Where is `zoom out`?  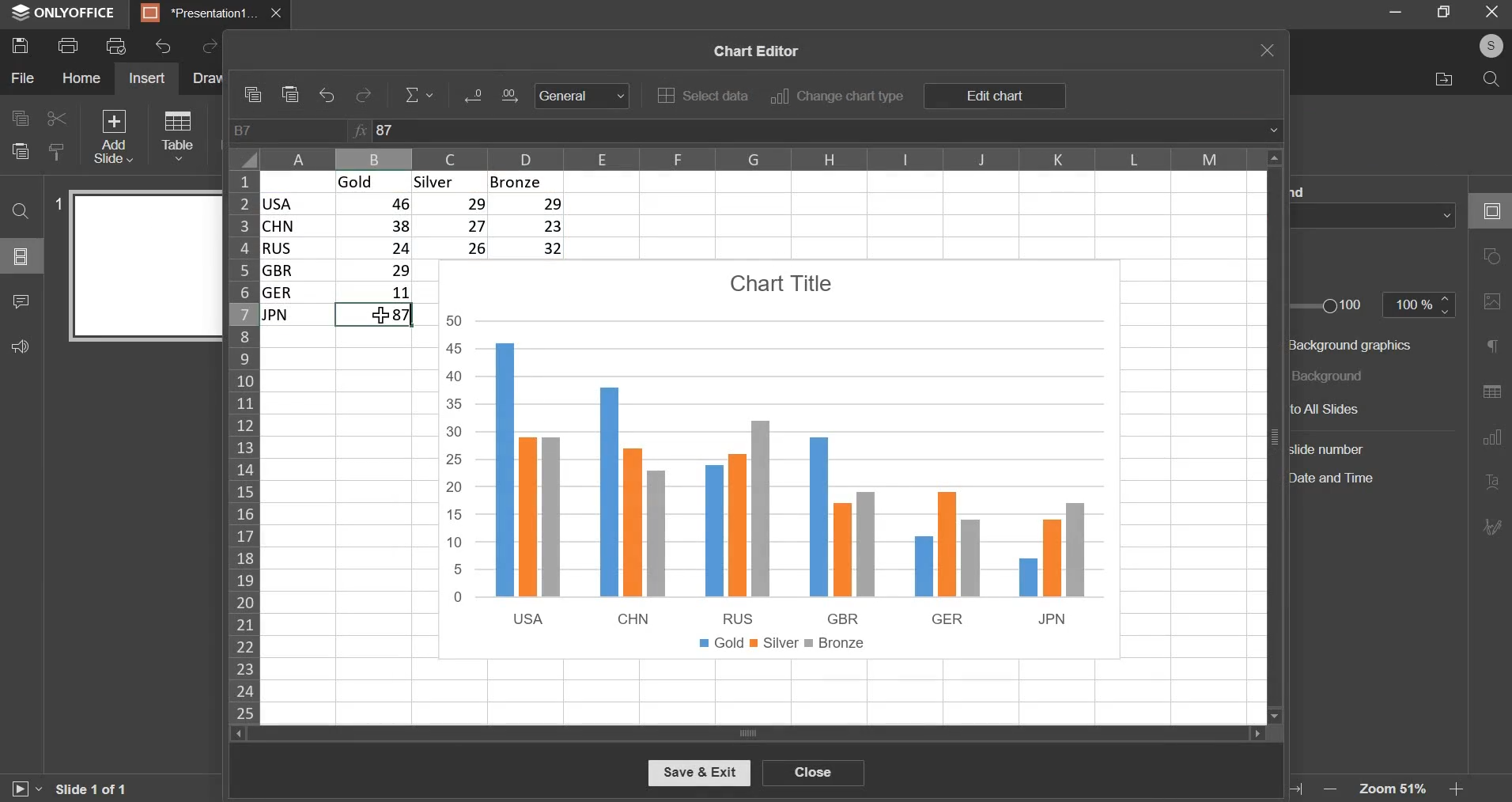 zoom out is located at coordinates (1327, 787).